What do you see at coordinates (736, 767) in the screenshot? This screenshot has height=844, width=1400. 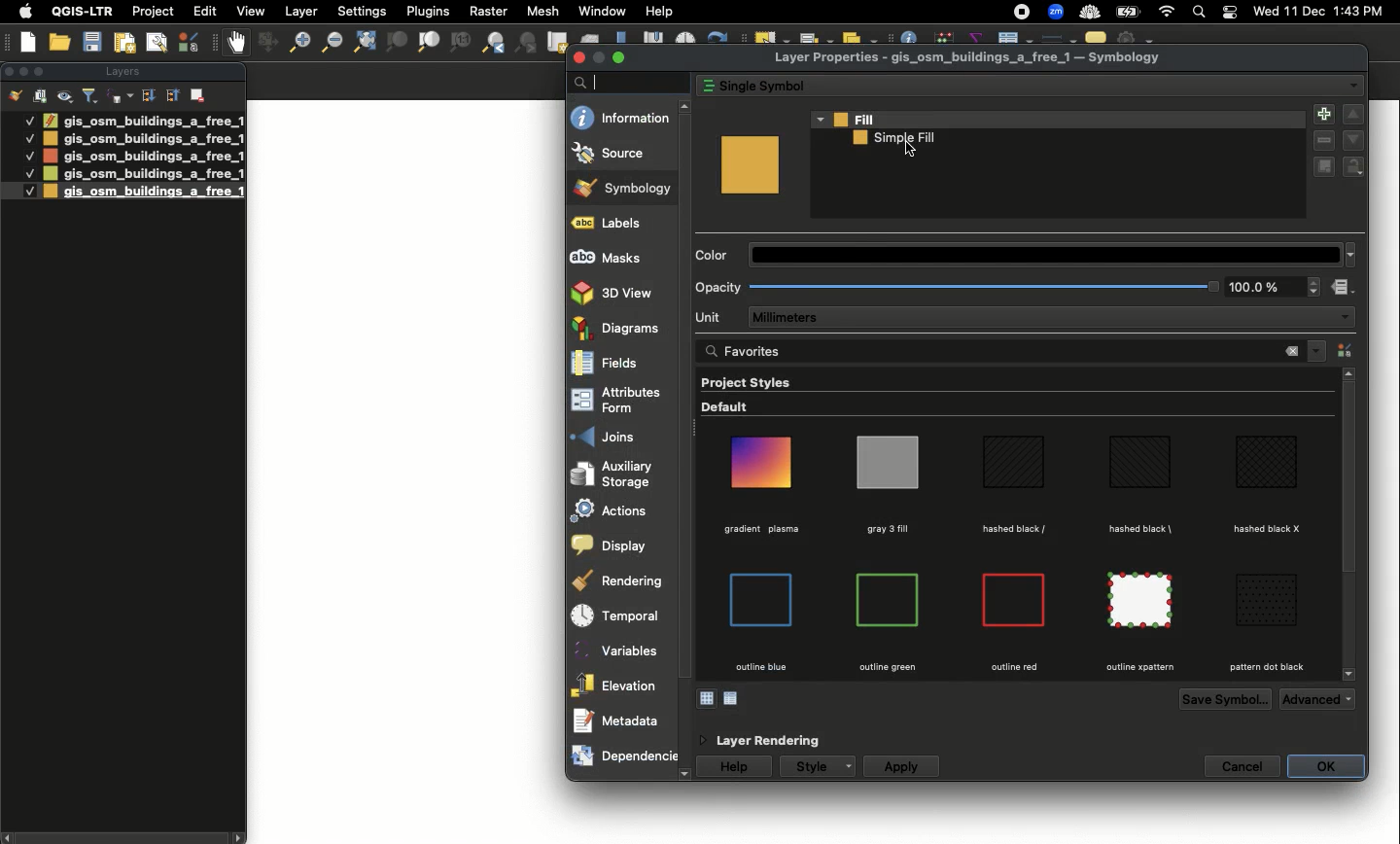 I see `Help` at bounding box center [736, 767].